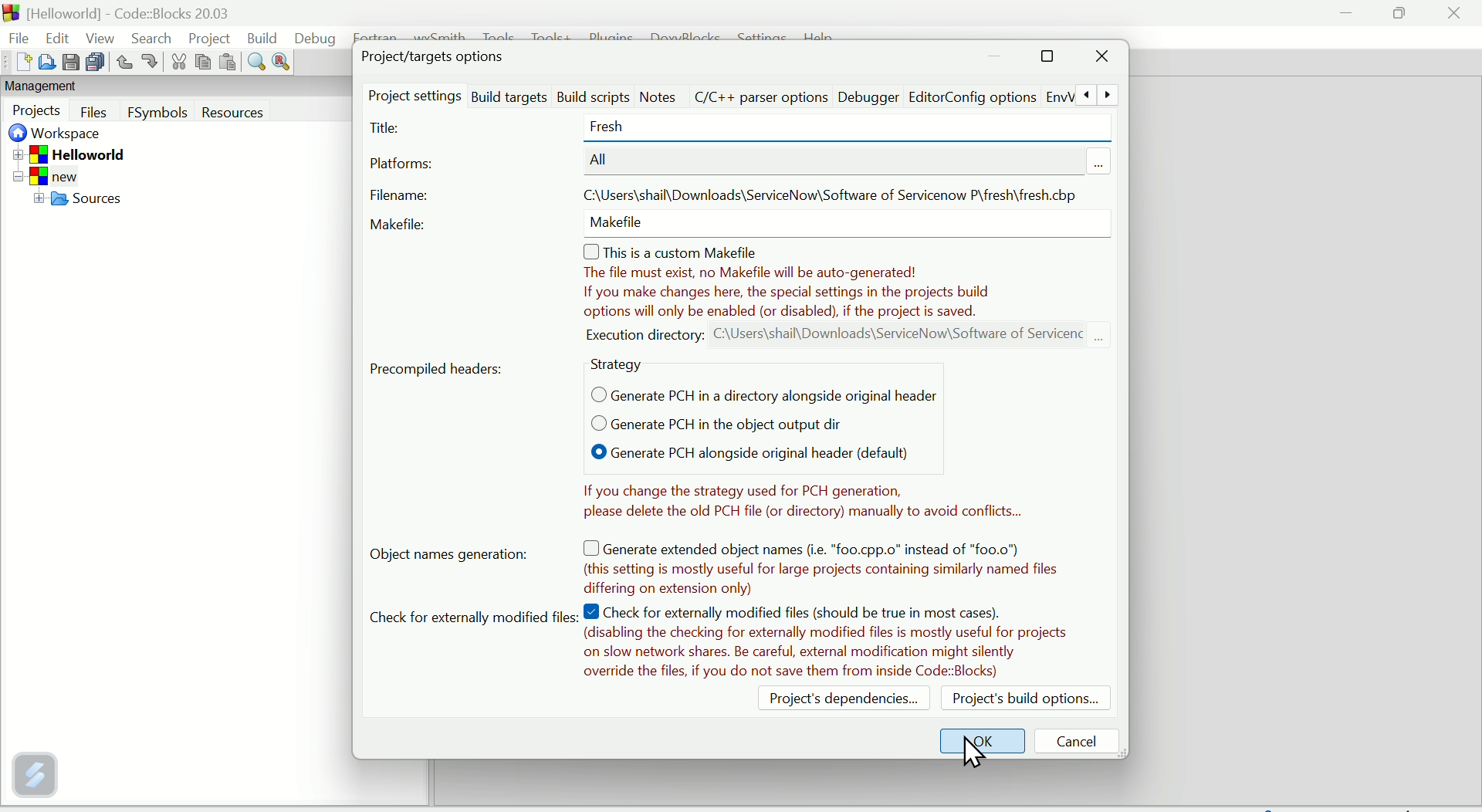 The height and width of the screenshot is (812, 1482). What do you see at coordinates (201, 62) in the screenshot?
I see `Copy` at bounding box center [201, 62].